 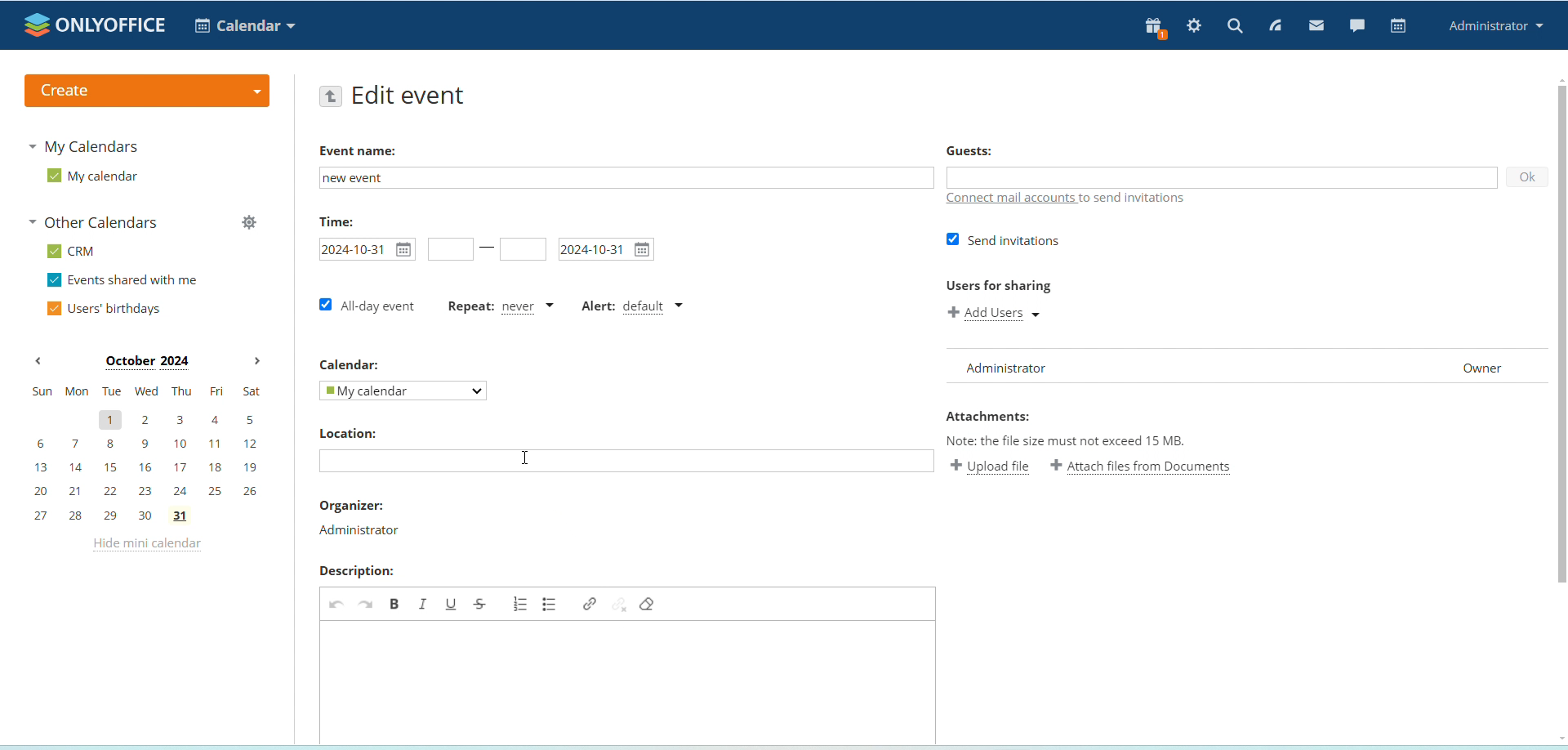 What do you see at coordinates (988, 417) in the screenshot?
I see `Attachments` at bounding box center [988, 417].